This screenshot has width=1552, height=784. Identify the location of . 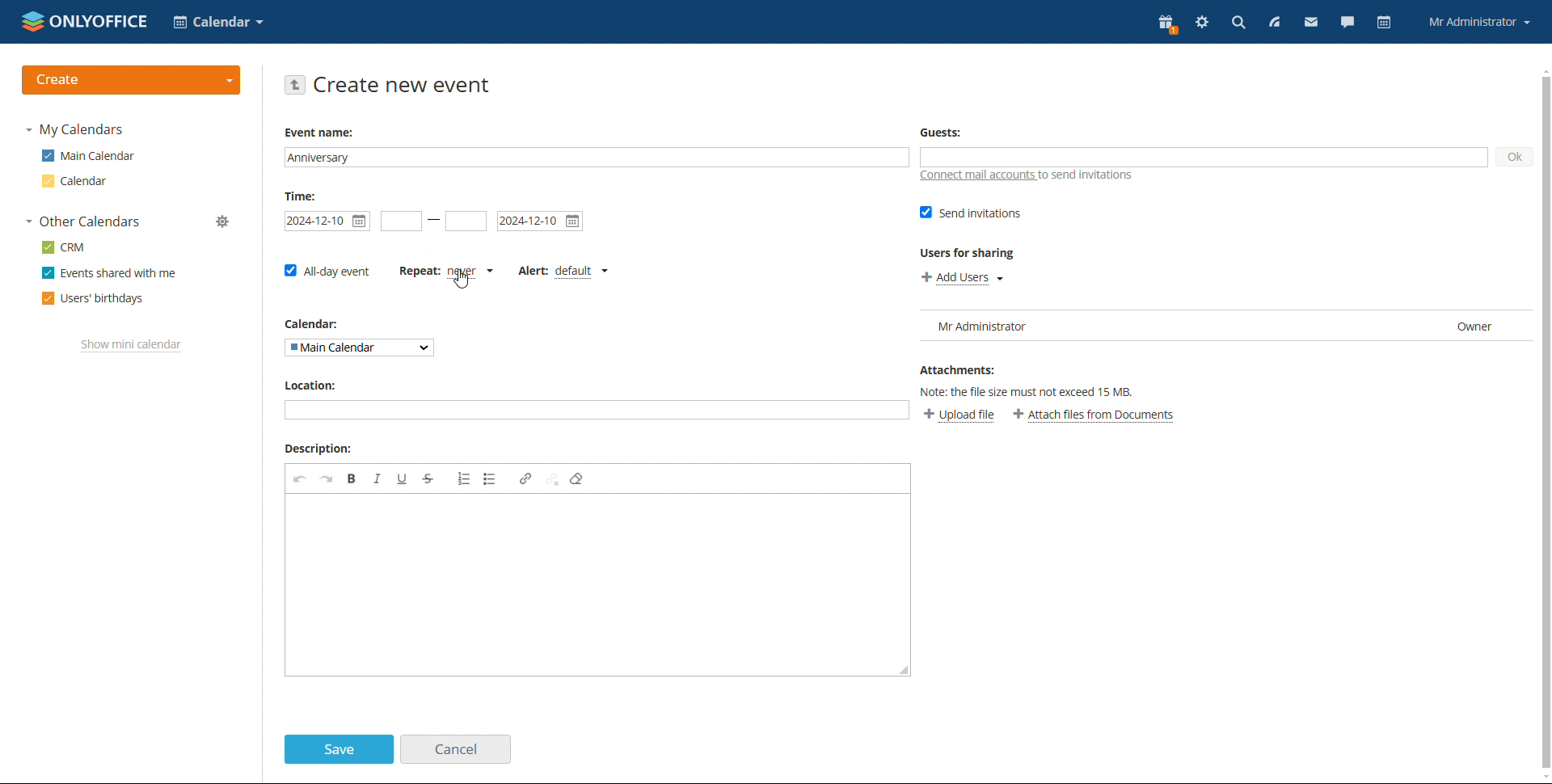
(1027, 389).